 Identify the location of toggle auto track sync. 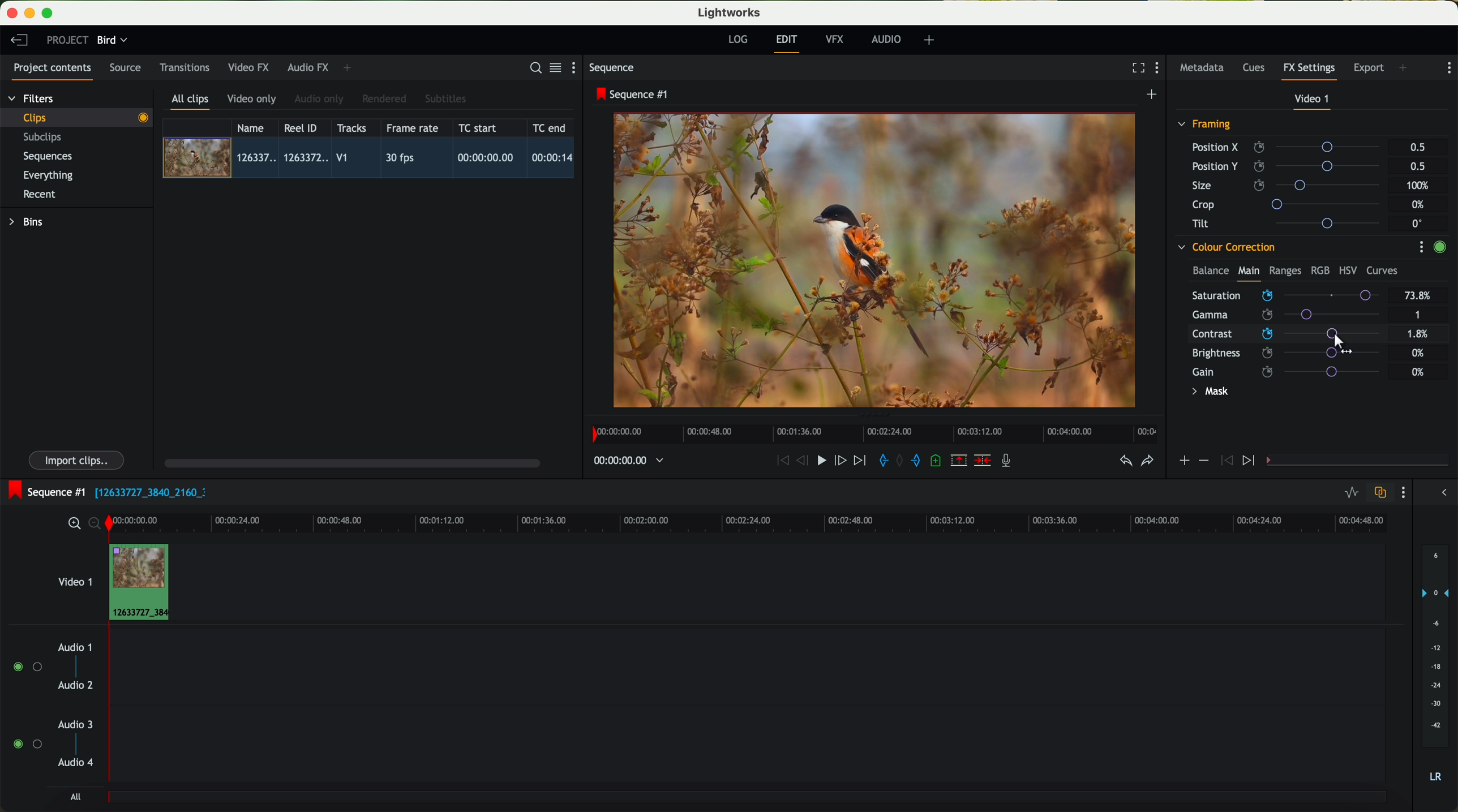
(1378, 493).